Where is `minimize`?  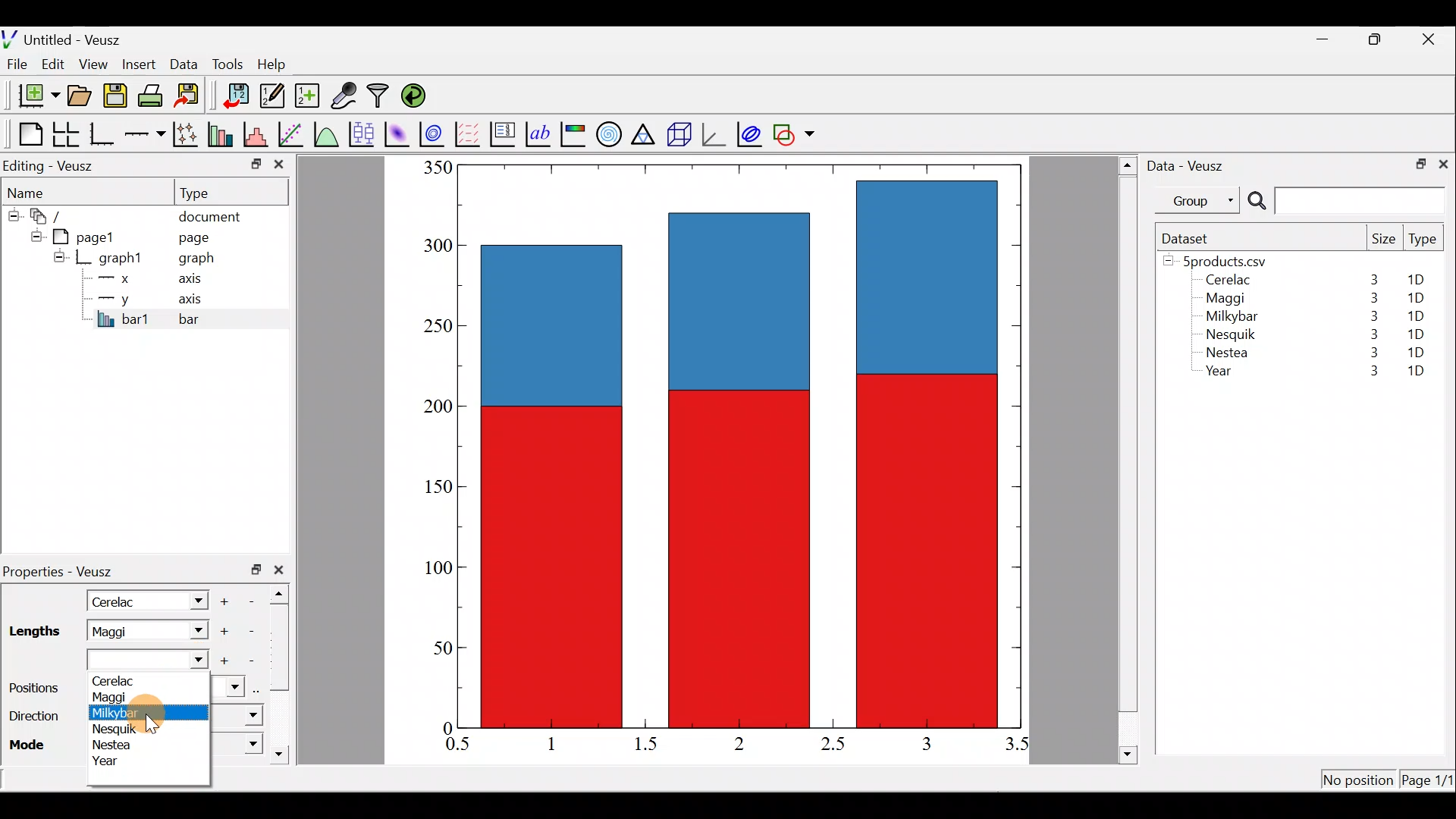
minimize is located at coordinates (1330, 38).